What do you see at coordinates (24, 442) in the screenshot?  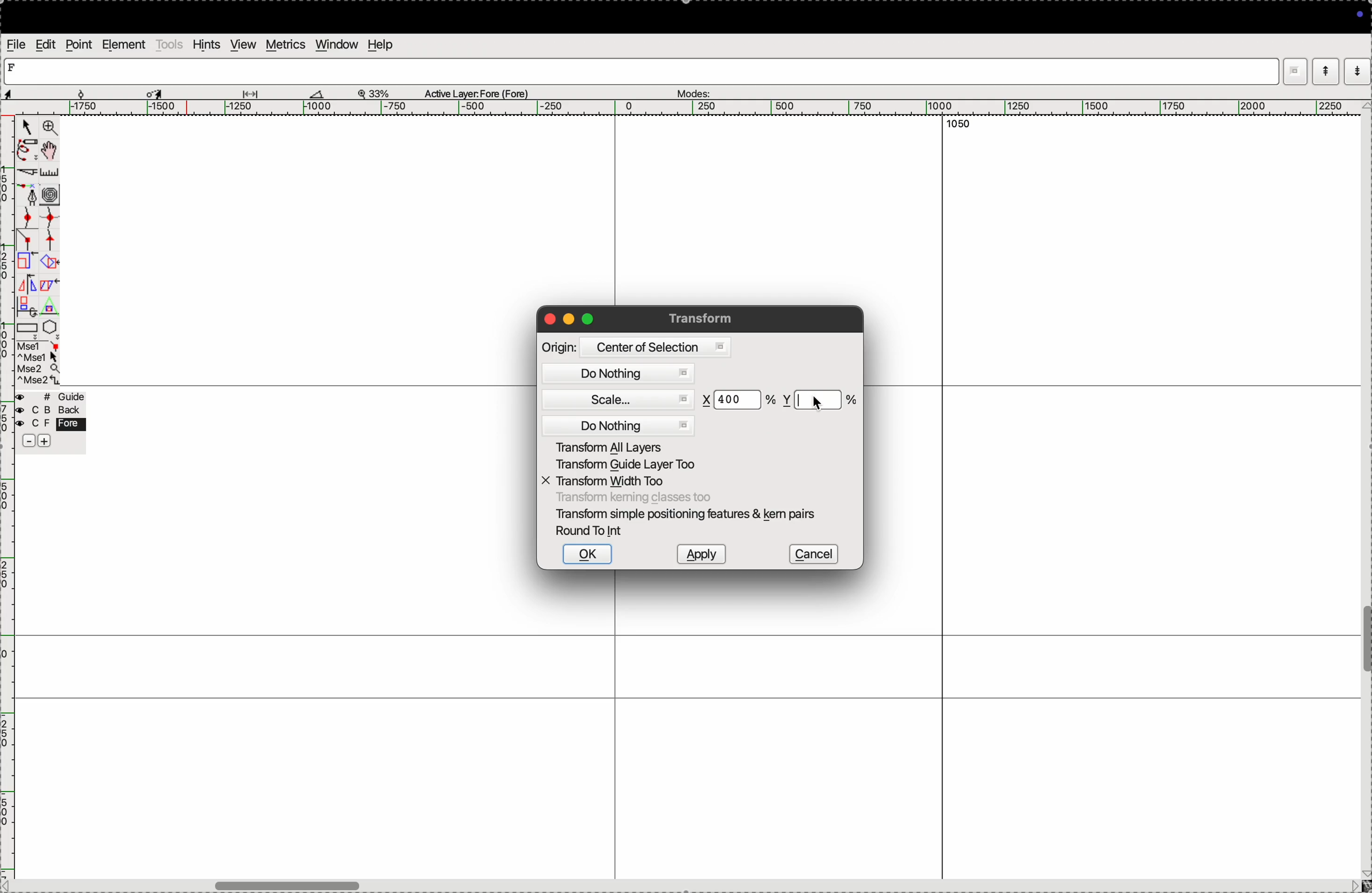 I see `sbubtract` at bounding box center [24, 442].